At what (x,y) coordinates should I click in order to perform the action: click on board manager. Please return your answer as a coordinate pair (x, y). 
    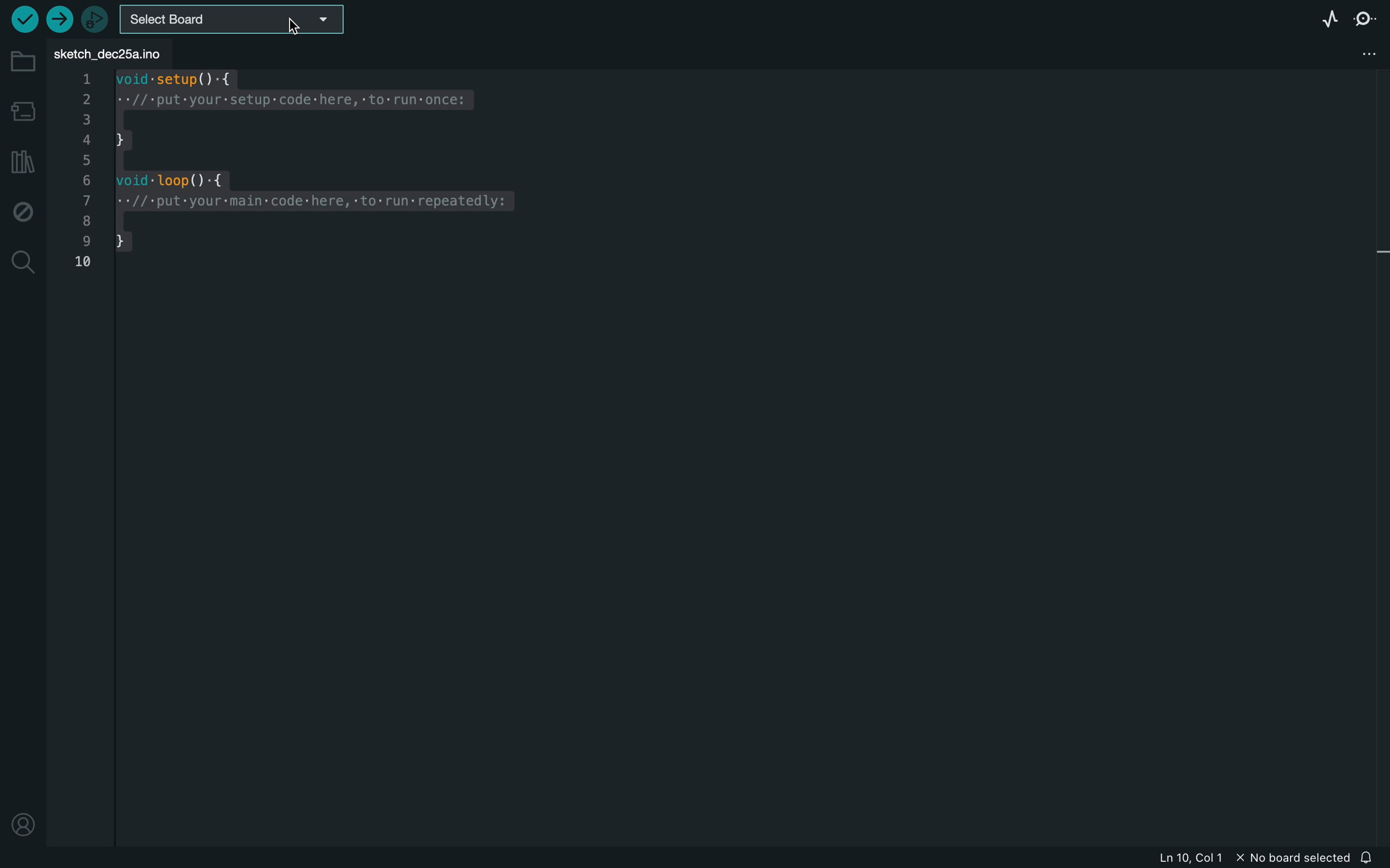
    Looking at the image, I should click on (22, 110).